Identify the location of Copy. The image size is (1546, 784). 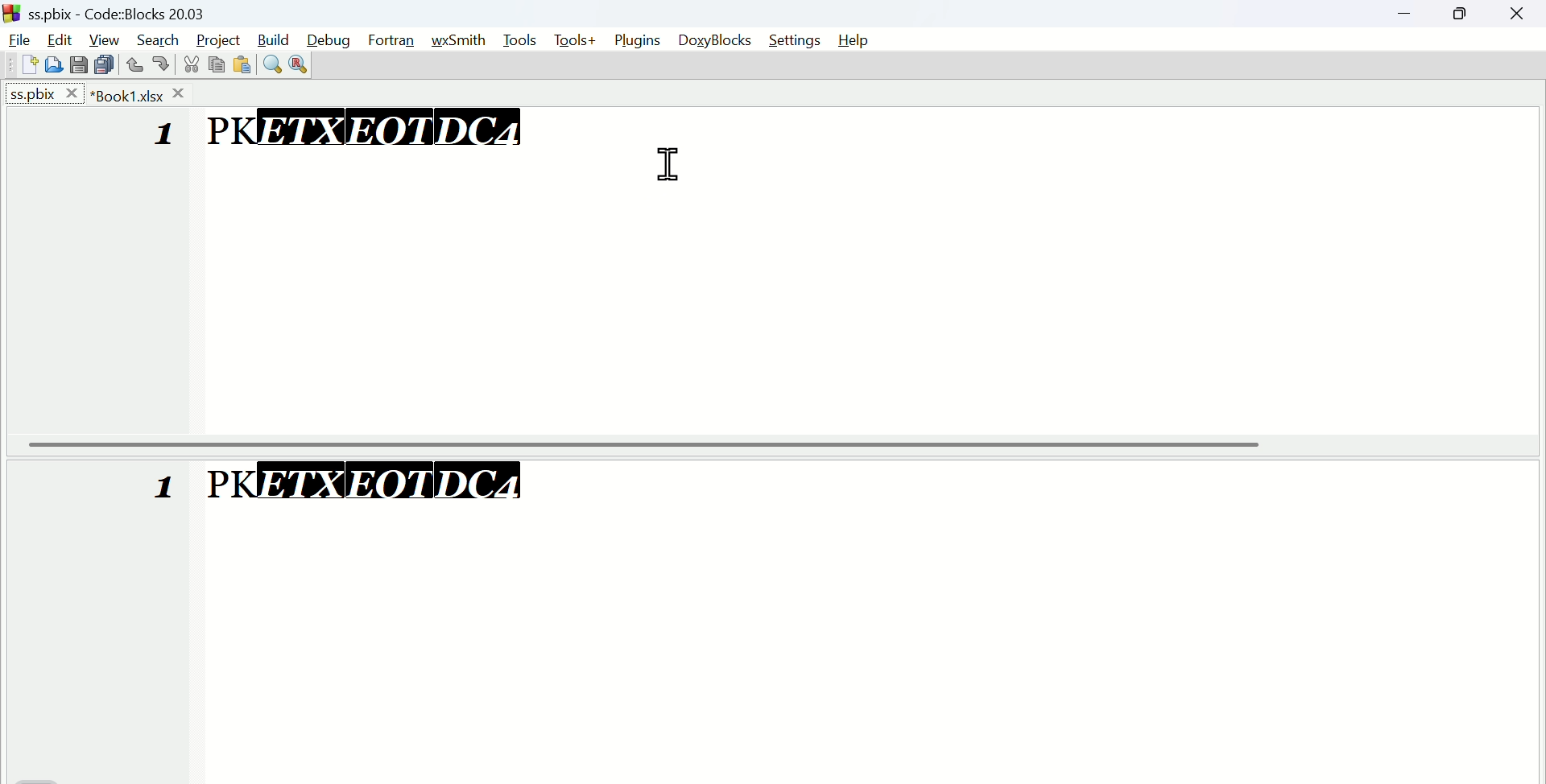
(213, 66).